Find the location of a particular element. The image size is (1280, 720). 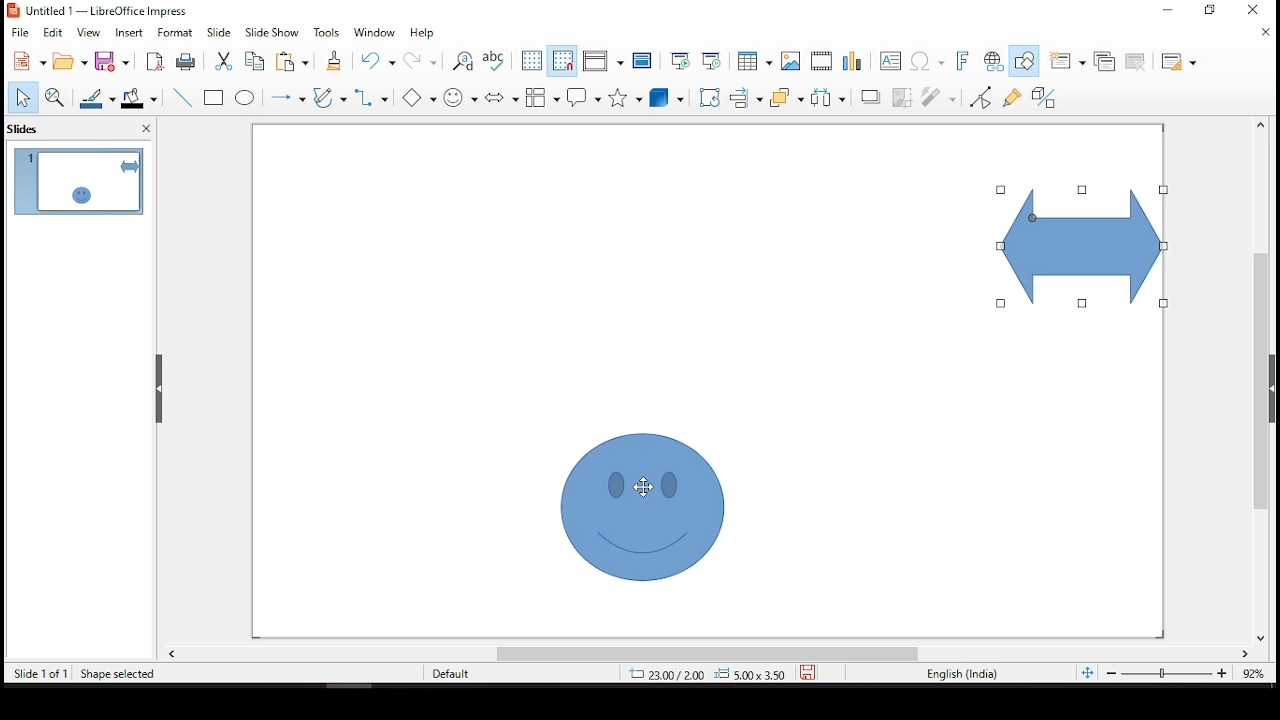

save is located at coordinates (808, 673).